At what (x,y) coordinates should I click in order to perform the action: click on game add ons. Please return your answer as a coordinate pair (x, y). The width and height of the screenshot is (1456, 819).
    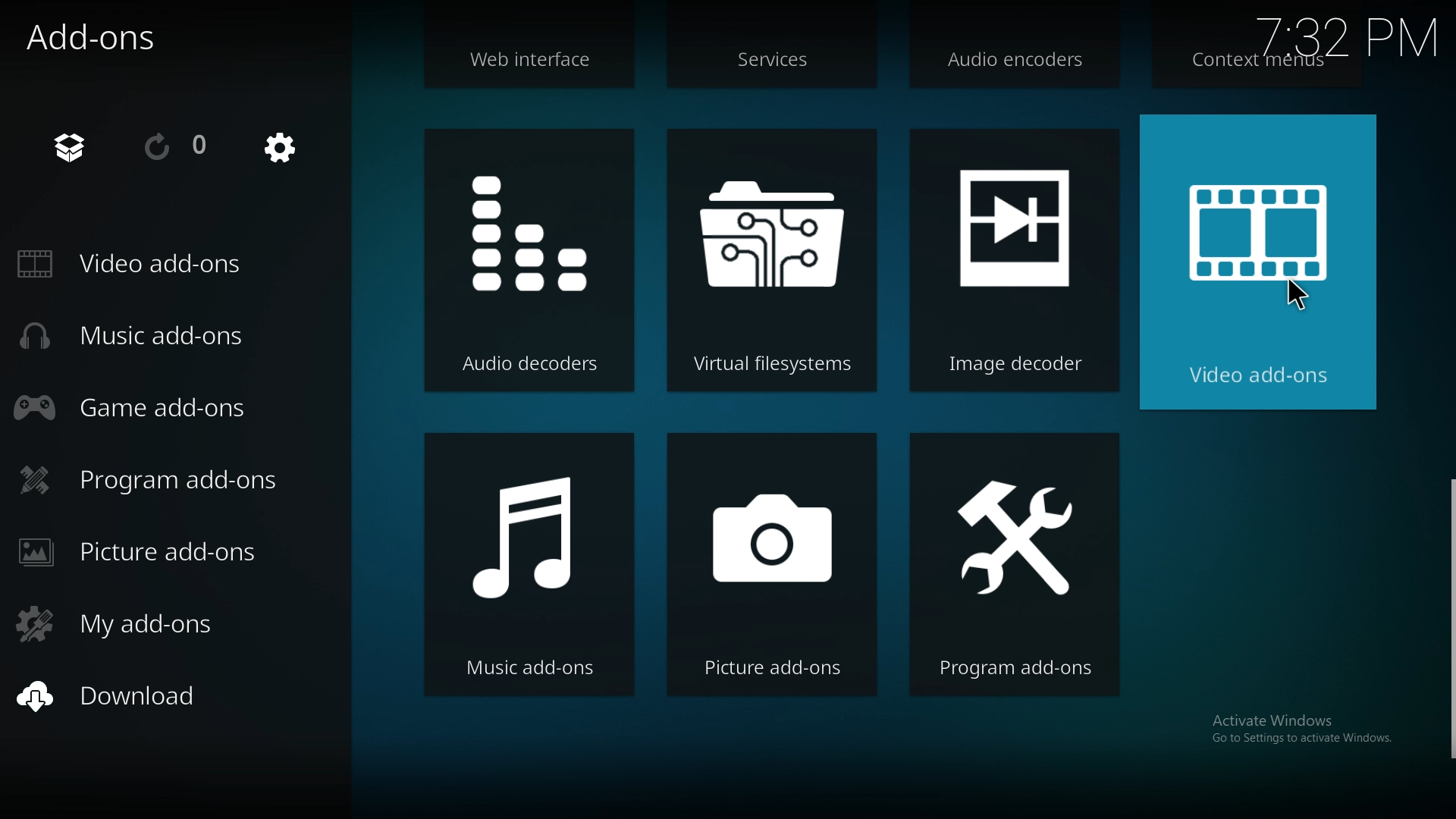
    Looking at the image, I should click on (141, 406).